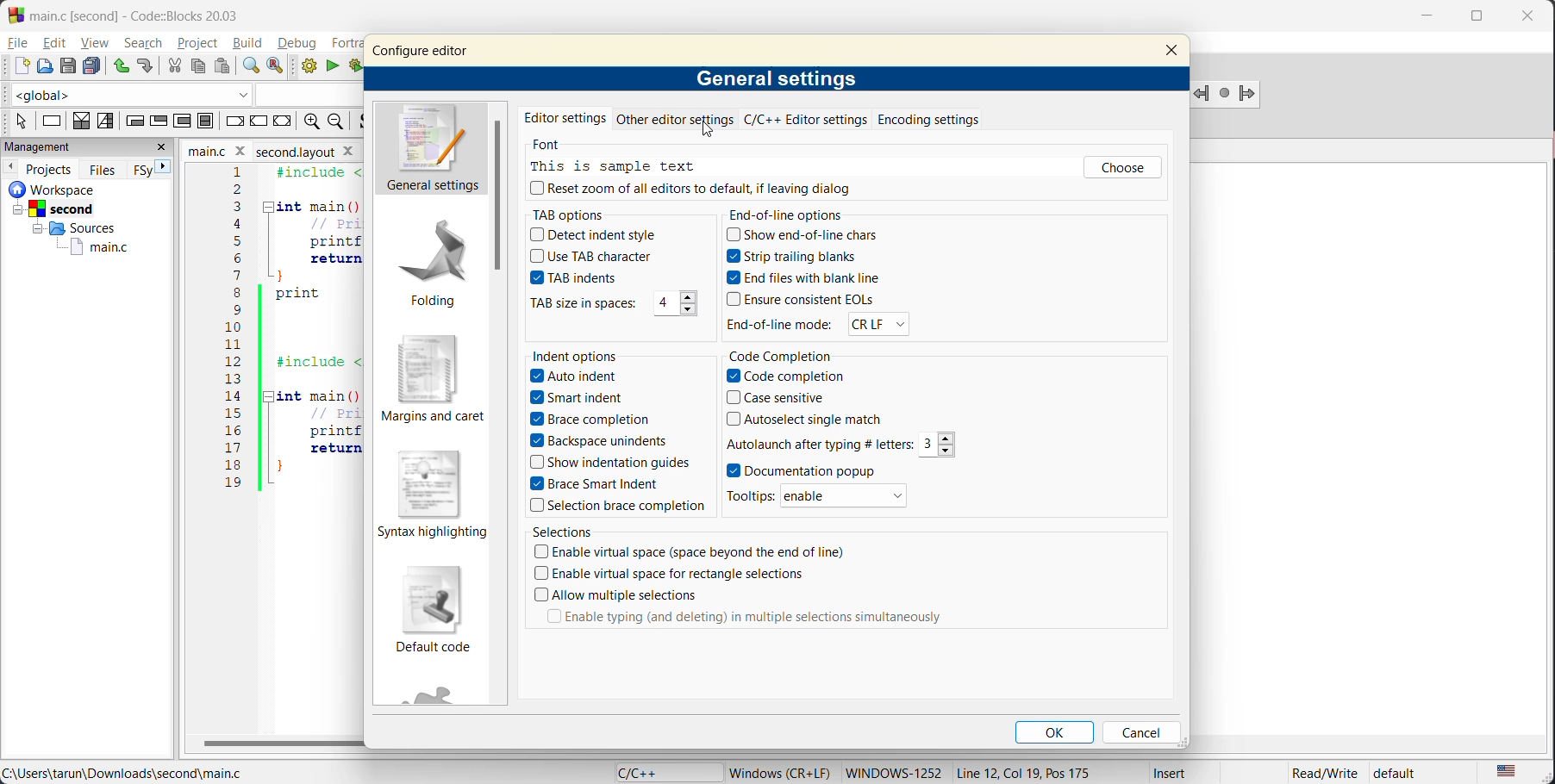 The height and width of the screenshot is (784, 1555). I want to click on Line 12, col 19, pos 175, so click(1034, 773).